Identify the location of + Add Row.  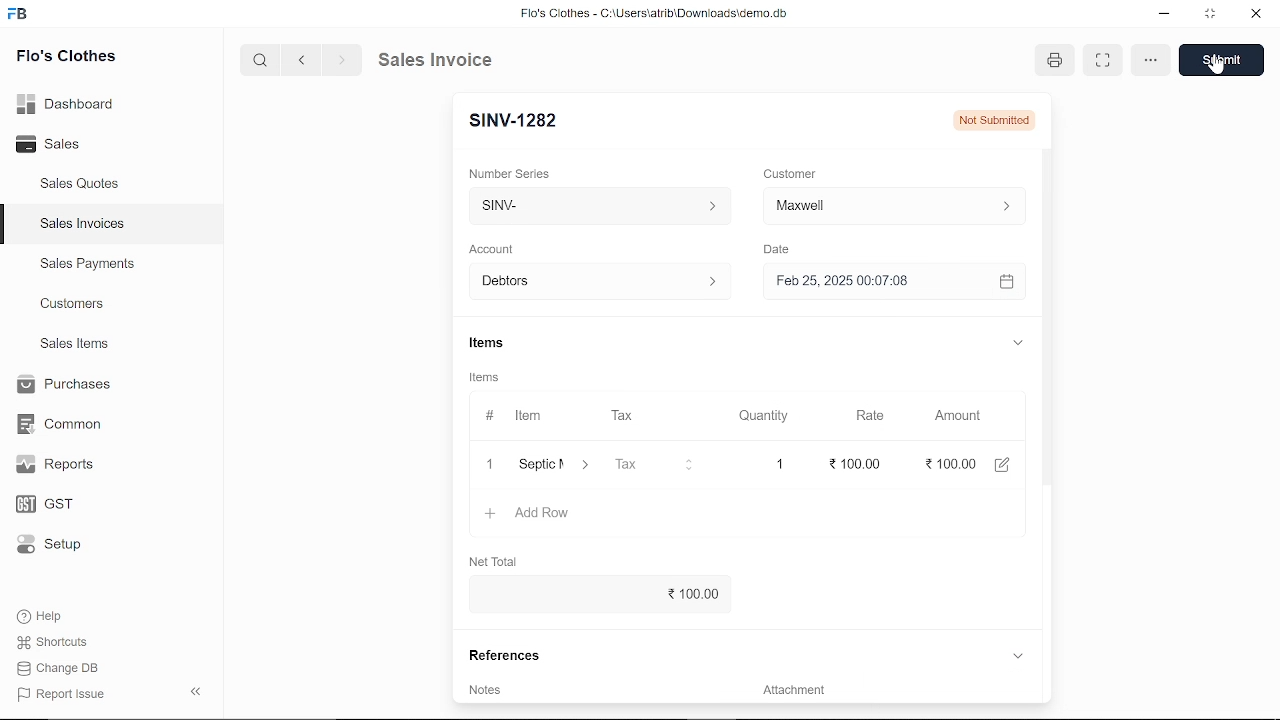
(482, 514).